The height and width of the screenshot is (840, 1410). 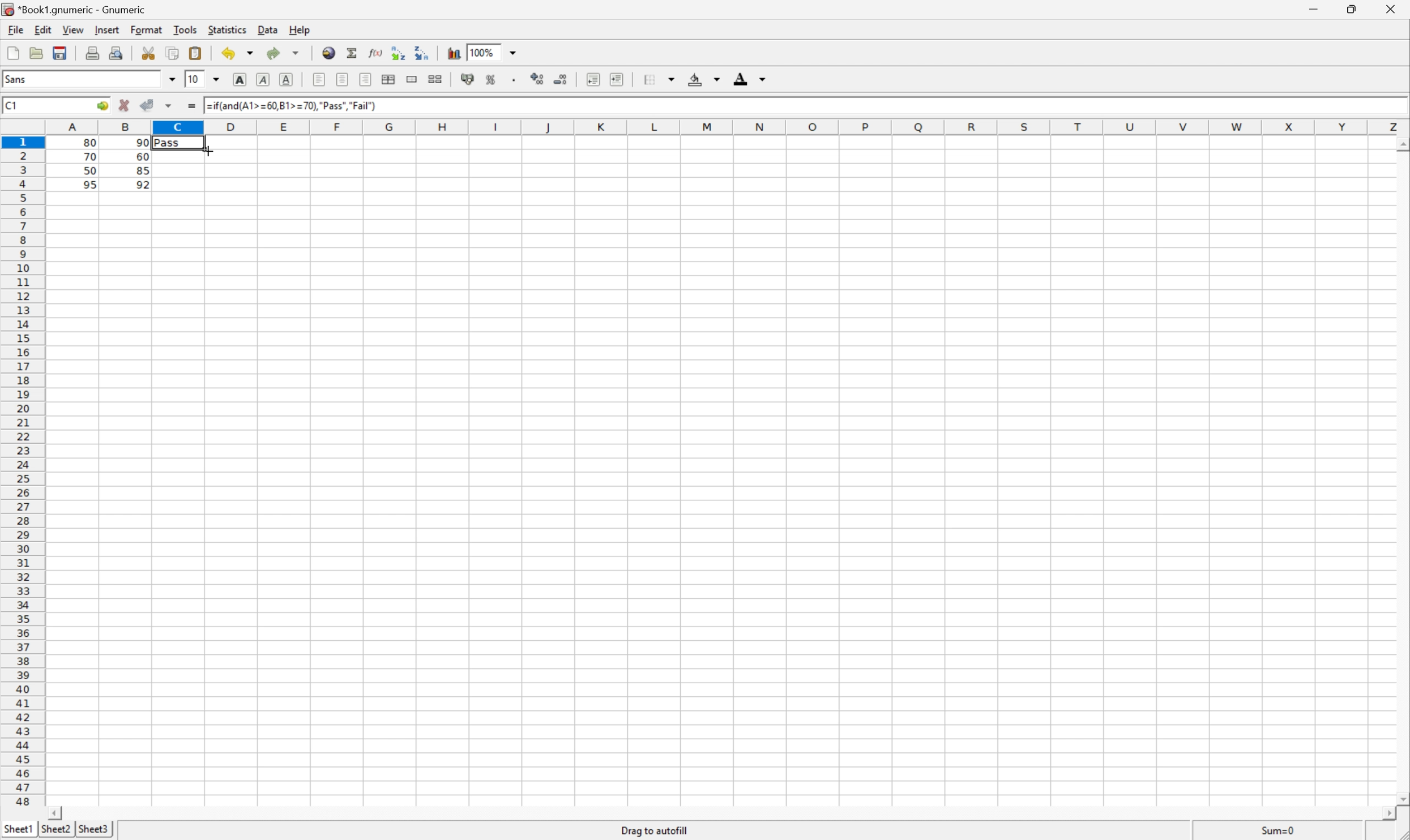 What do you see at coordinates (170, 106) in the screenshot?
I see `Accept changes in multiple changes` at bounding box center [170, 106].